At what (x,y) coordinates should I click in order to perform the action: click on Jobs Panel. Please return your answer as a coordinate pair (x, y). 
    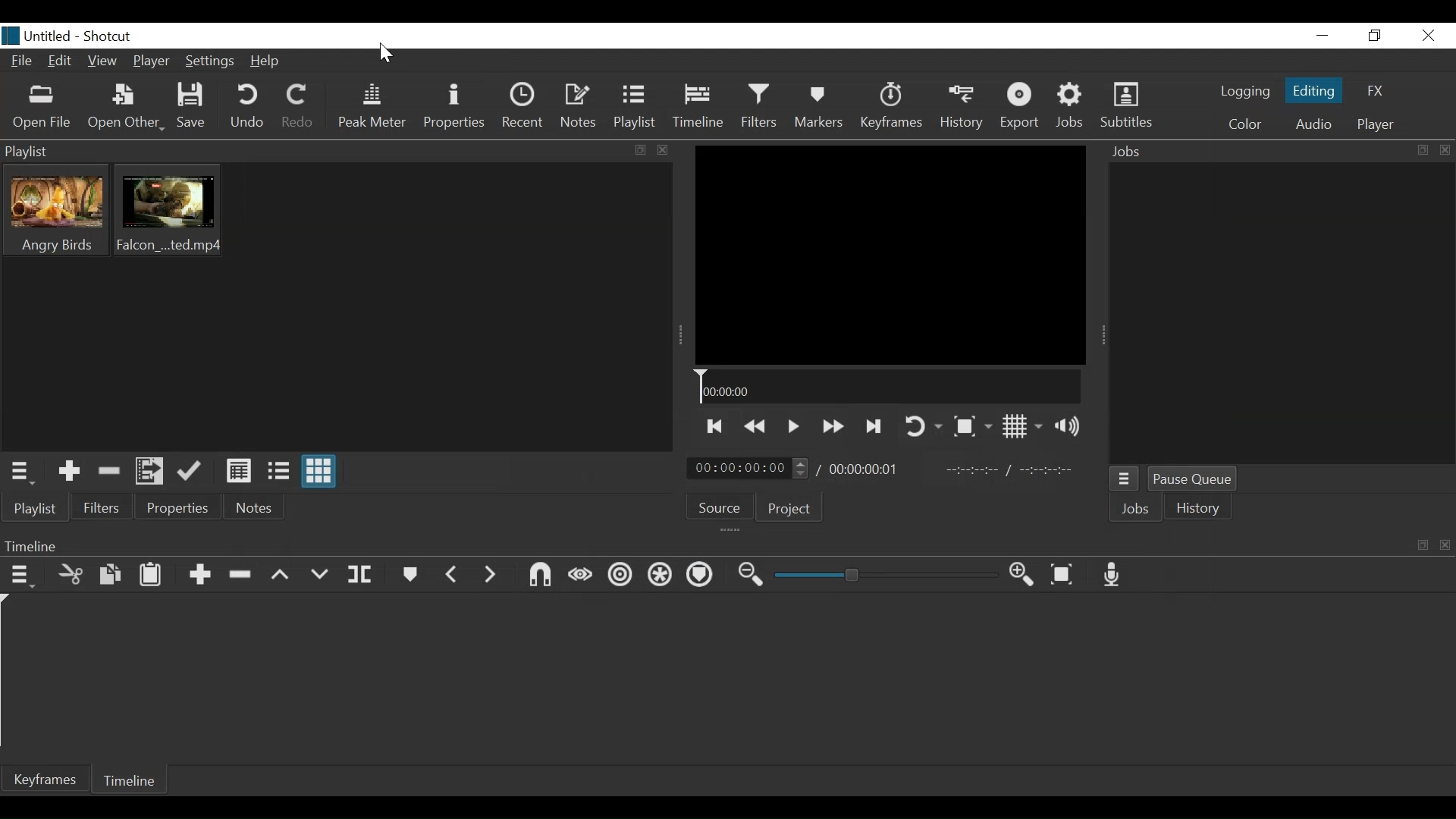
    Looking at the image, I should click on (1284, 314).